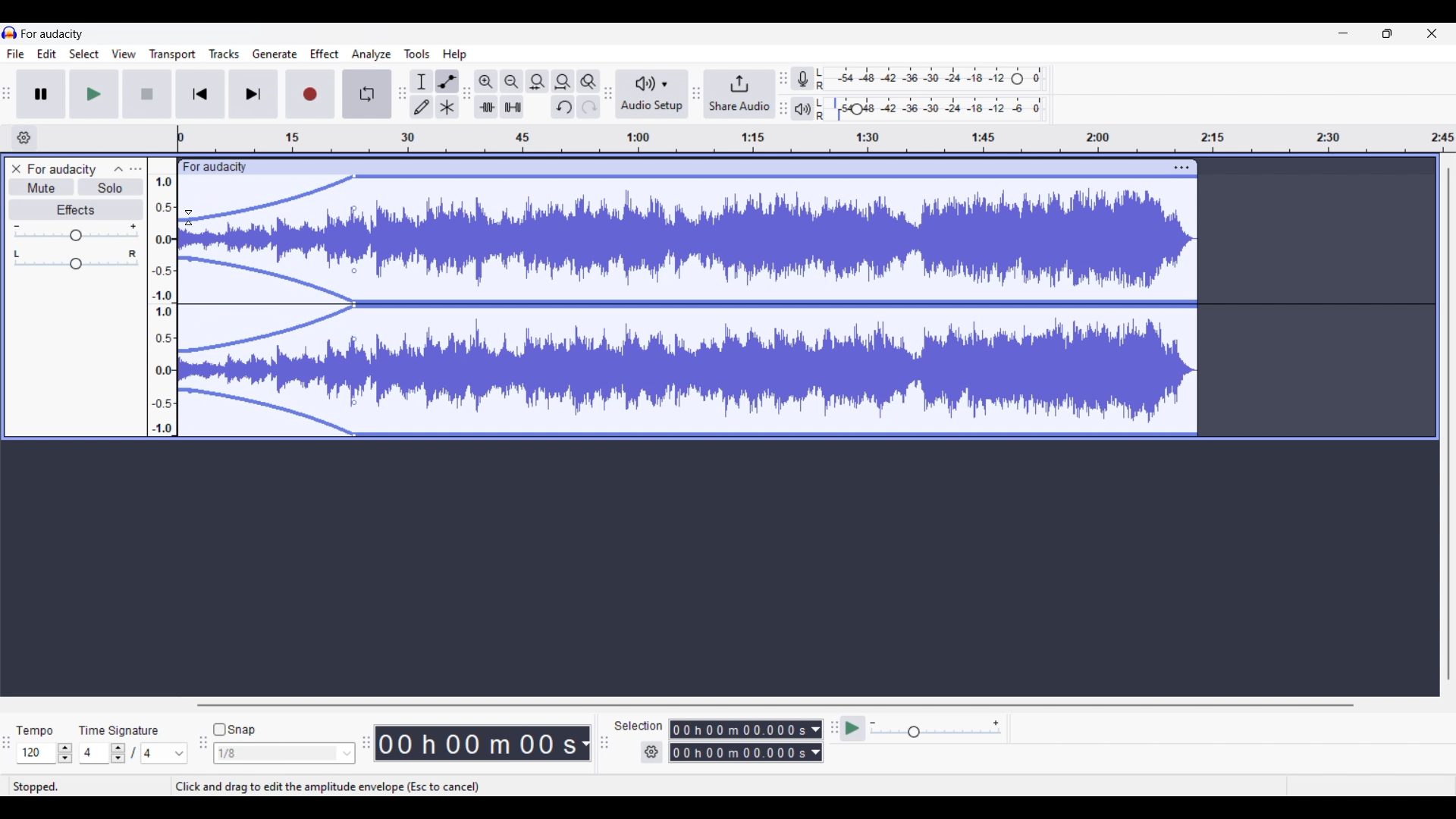 This screenshot has width=1456, height=819. Describe the element at coordinates (234, 730) in the screenshot. I see `Snap toggle` at that location.